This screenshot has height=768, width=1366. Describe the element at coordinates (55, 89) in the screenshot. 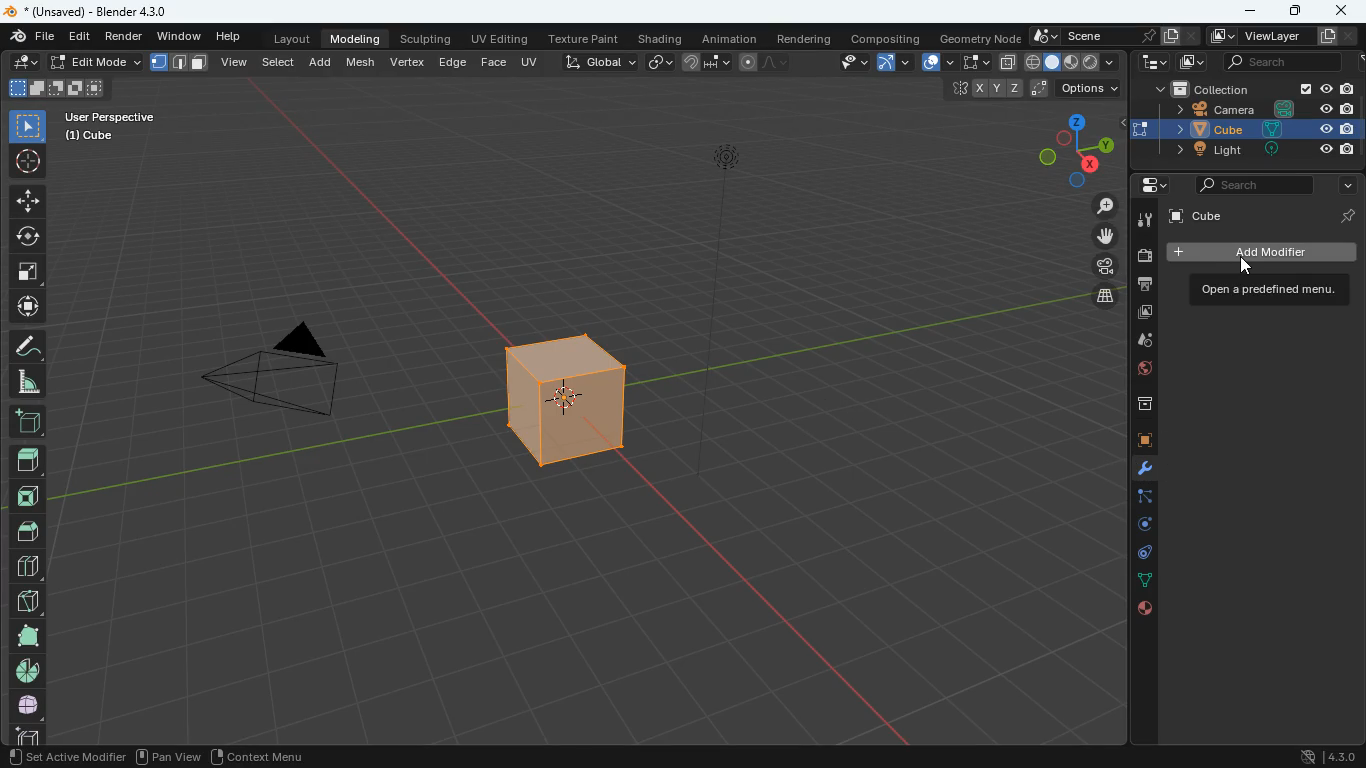

I see `size` at that location.